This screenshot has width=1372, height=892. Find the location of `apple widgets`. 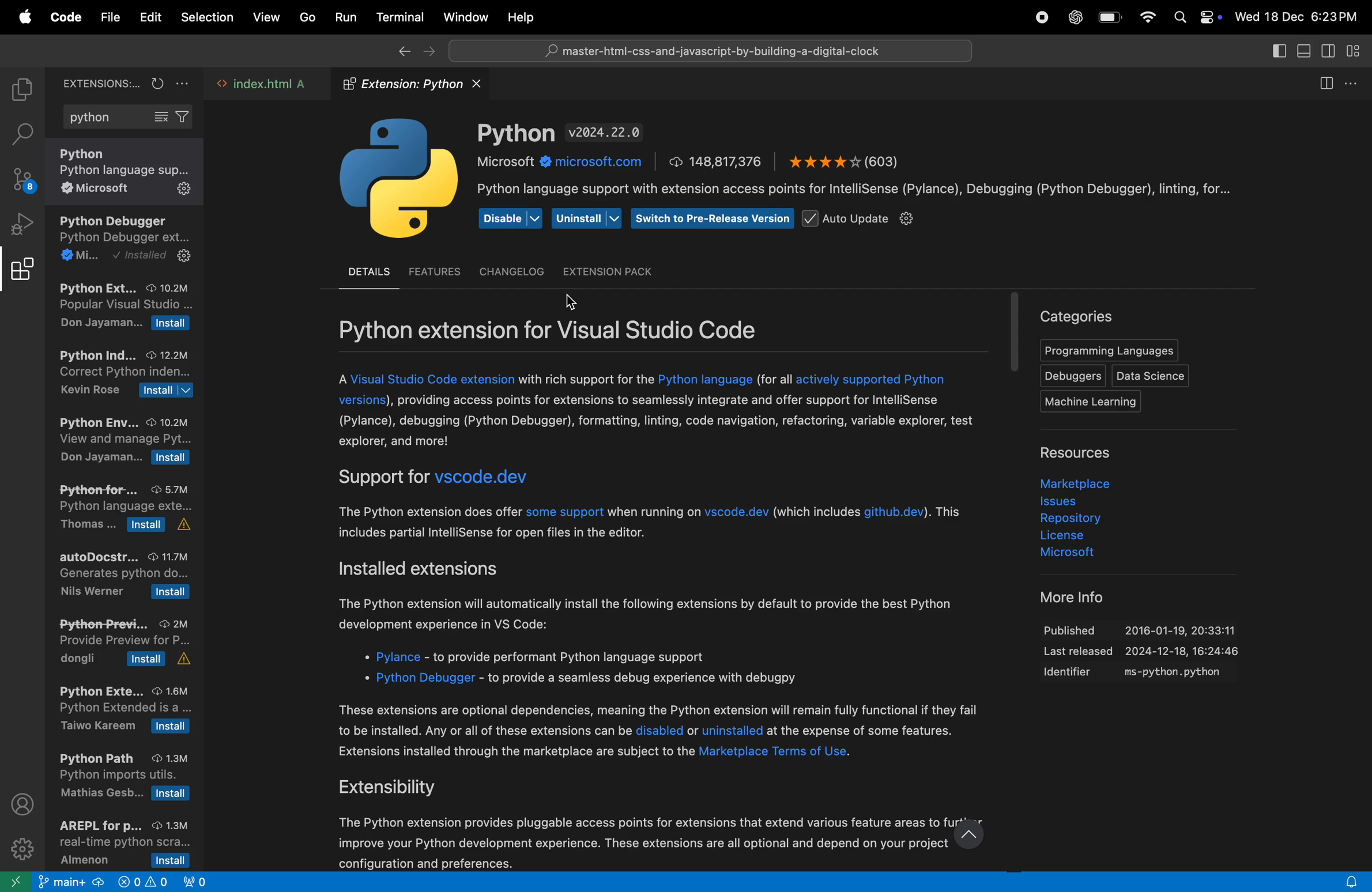

apple widgets is located at coordinates (1197, 17).